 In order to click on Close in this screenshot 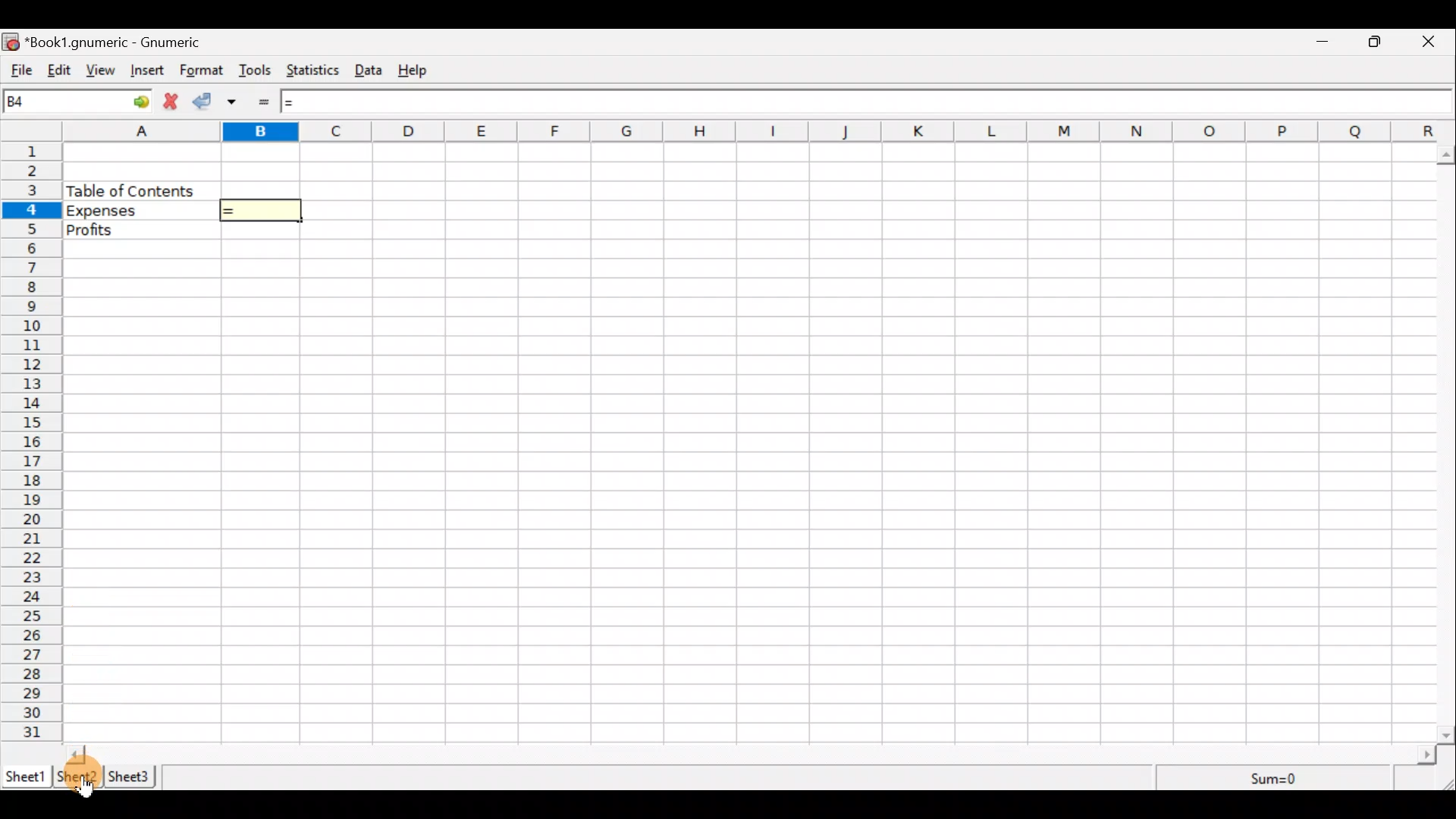, I will do `click(1435, 42)`.